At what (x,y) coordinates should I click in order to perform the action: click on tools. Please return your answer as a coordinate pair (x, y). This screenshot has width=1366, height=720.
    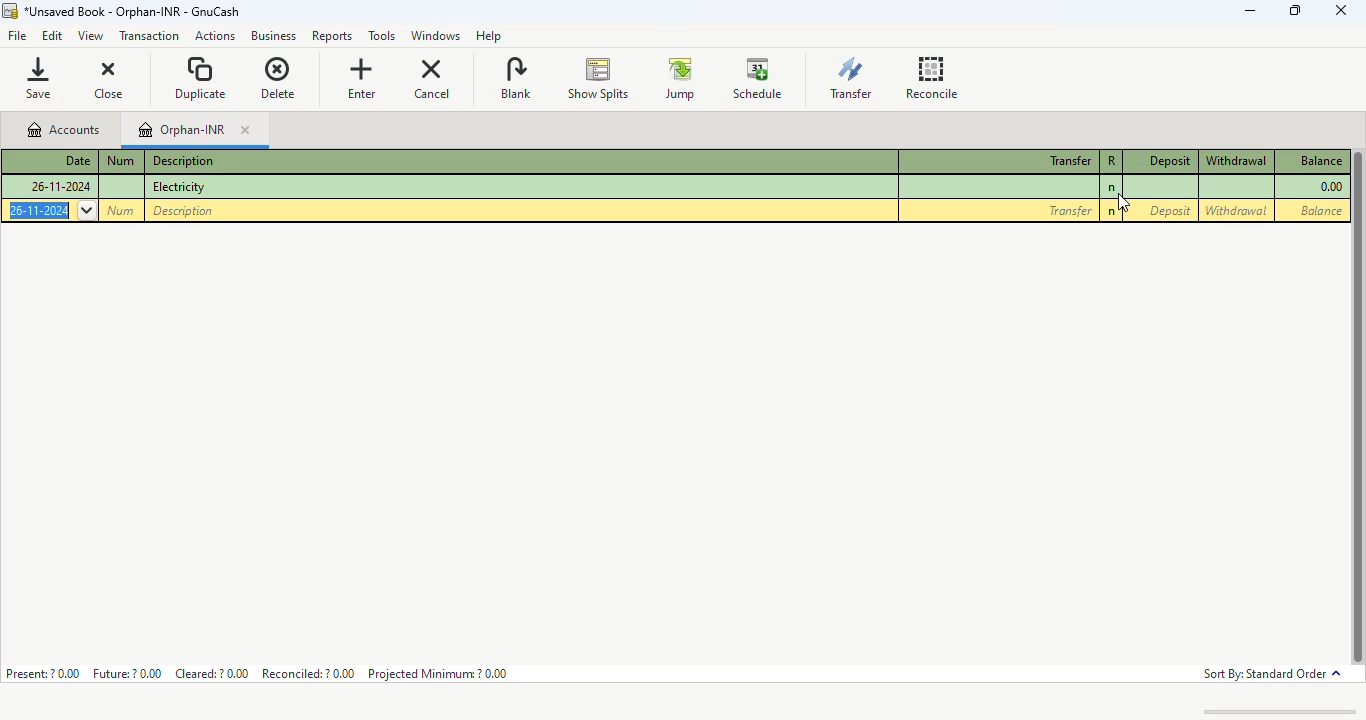
    Looking at the image, I should click on (382, 37).